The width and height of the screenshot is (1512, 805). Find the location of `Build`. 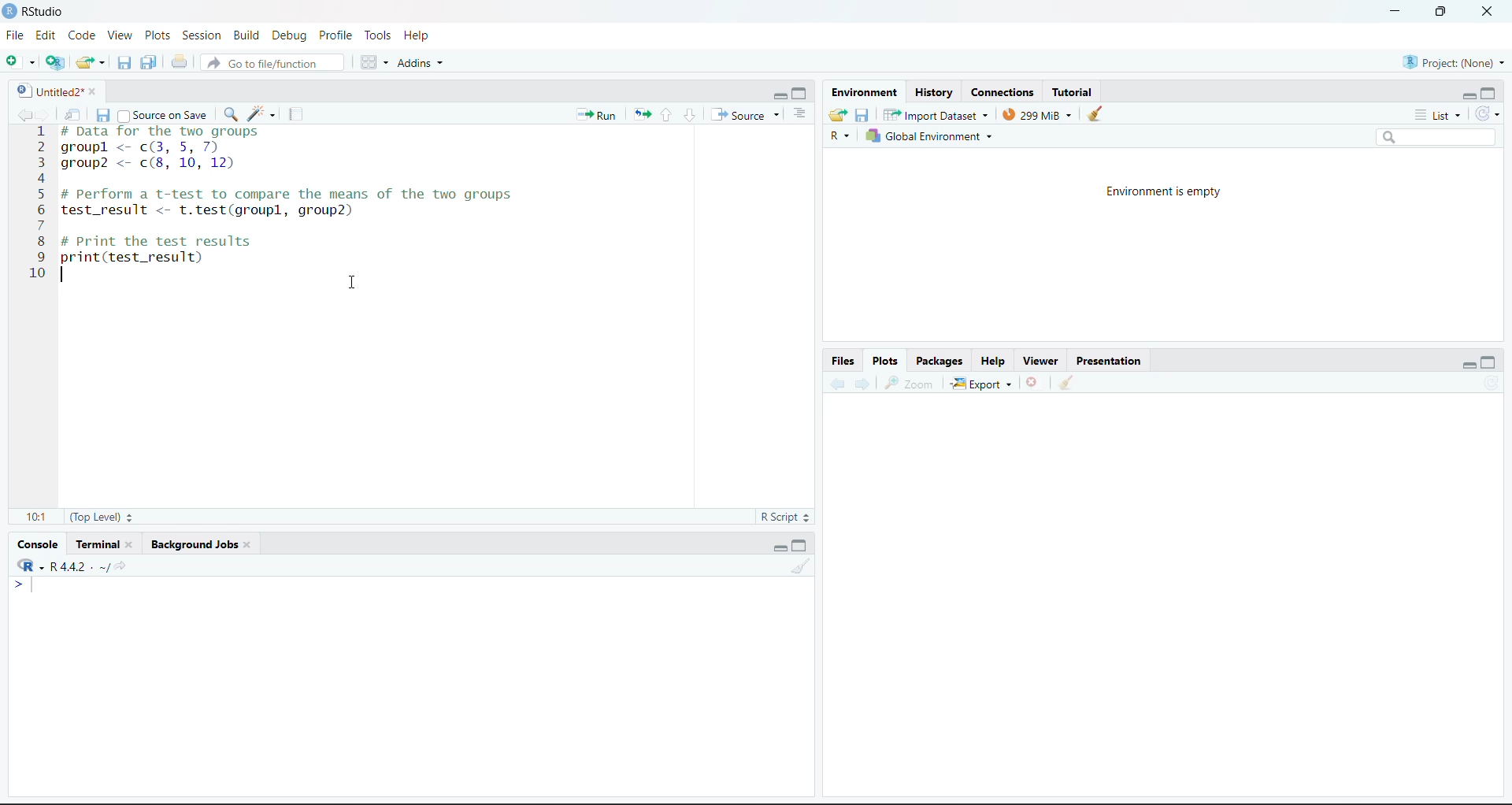

Build is located at coordinates (246, 35).